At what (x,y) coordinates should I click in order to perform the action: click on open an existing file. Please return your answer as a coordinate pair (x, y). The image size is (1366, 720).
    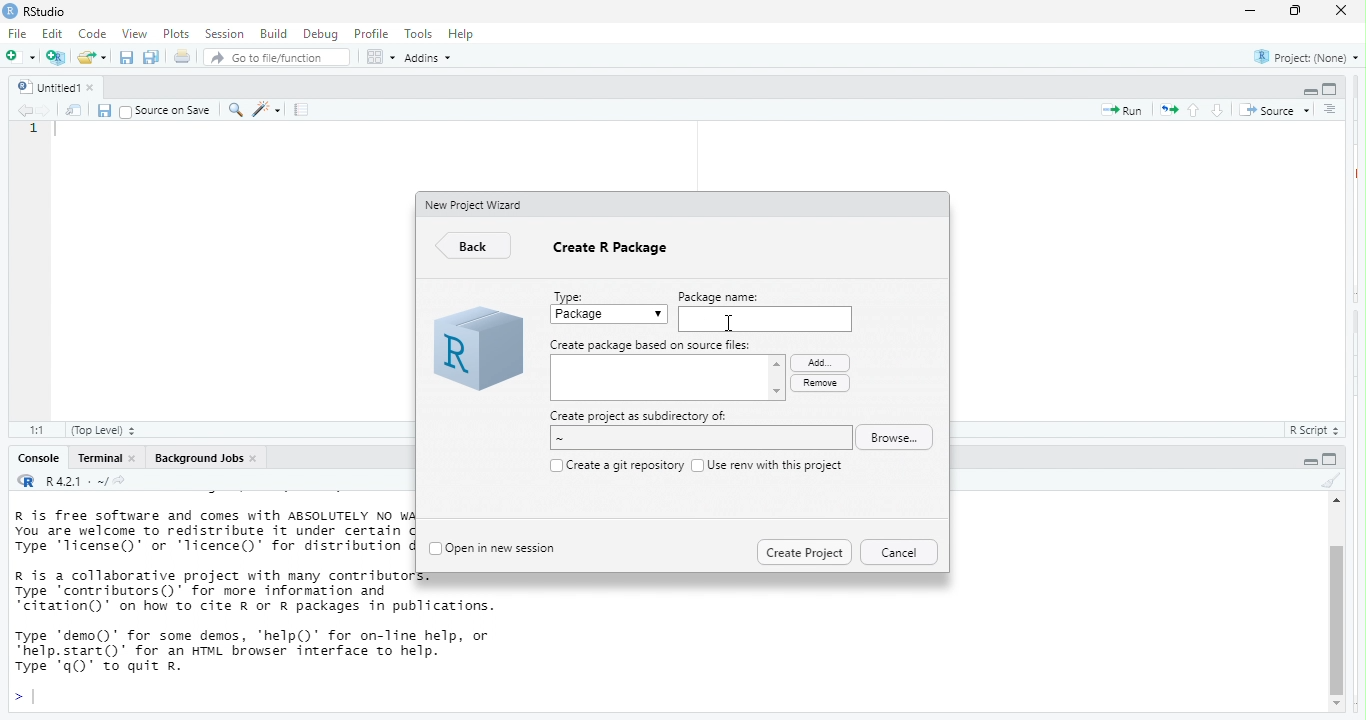
    Looking at the image, I should click on (92, 56).